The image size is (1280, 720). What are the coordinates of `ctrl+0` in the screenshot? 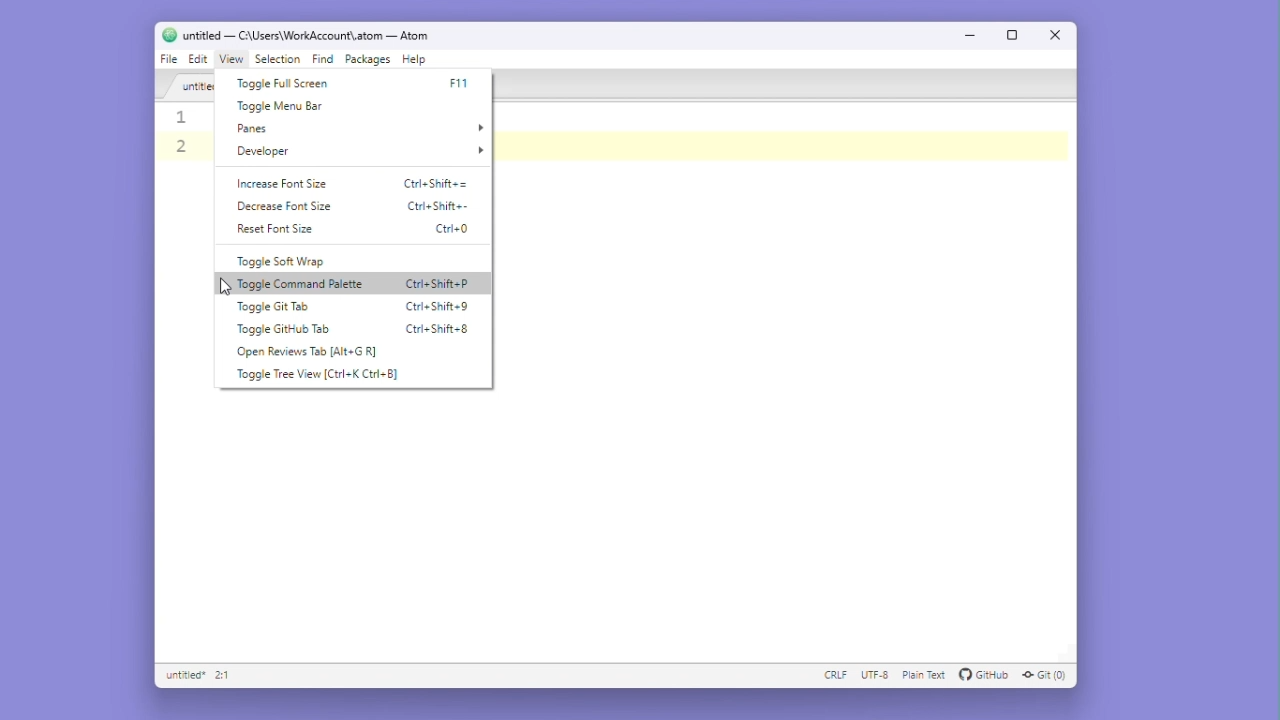 It's located at (456, 231).